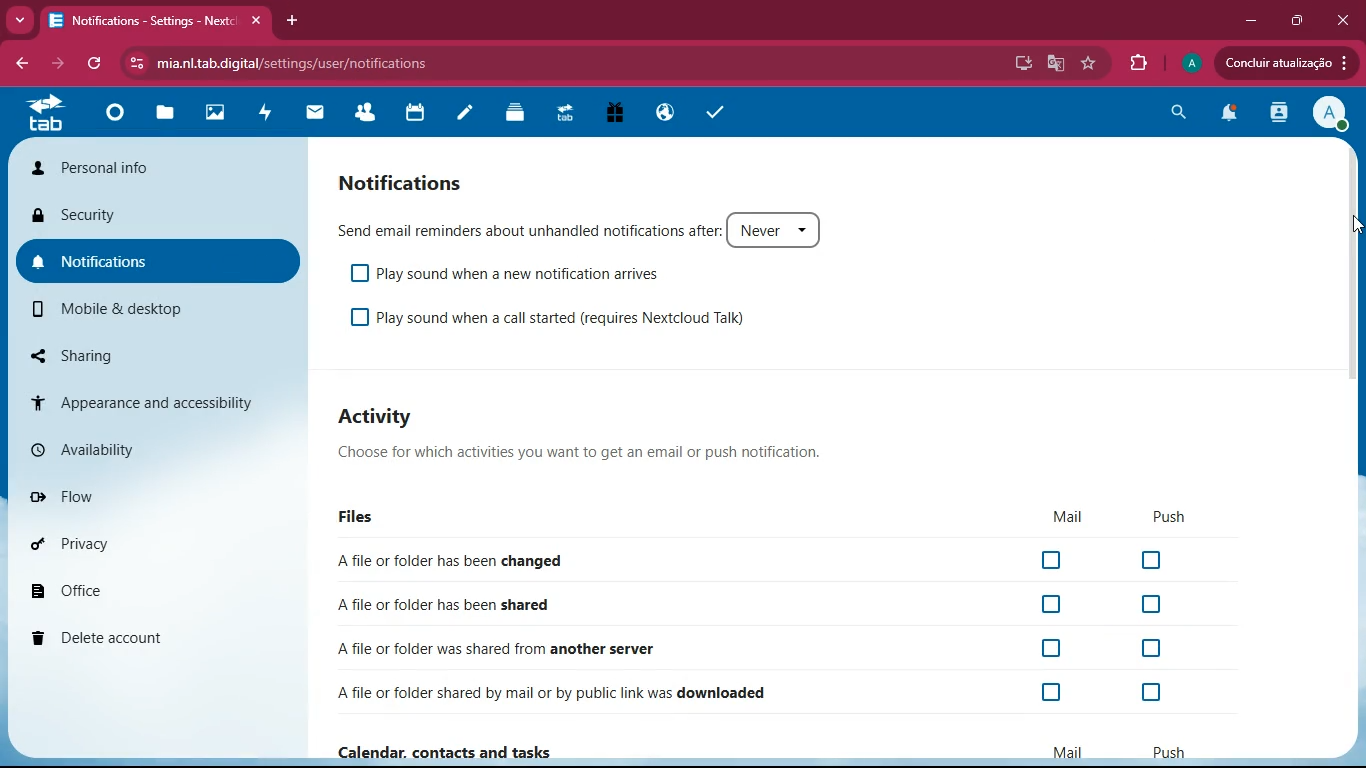 This screenshot has height=768, width=1366. What do you see at coordinates (147, 448) in the screenshot?
I see `availability` at bounding box center [147, 448].